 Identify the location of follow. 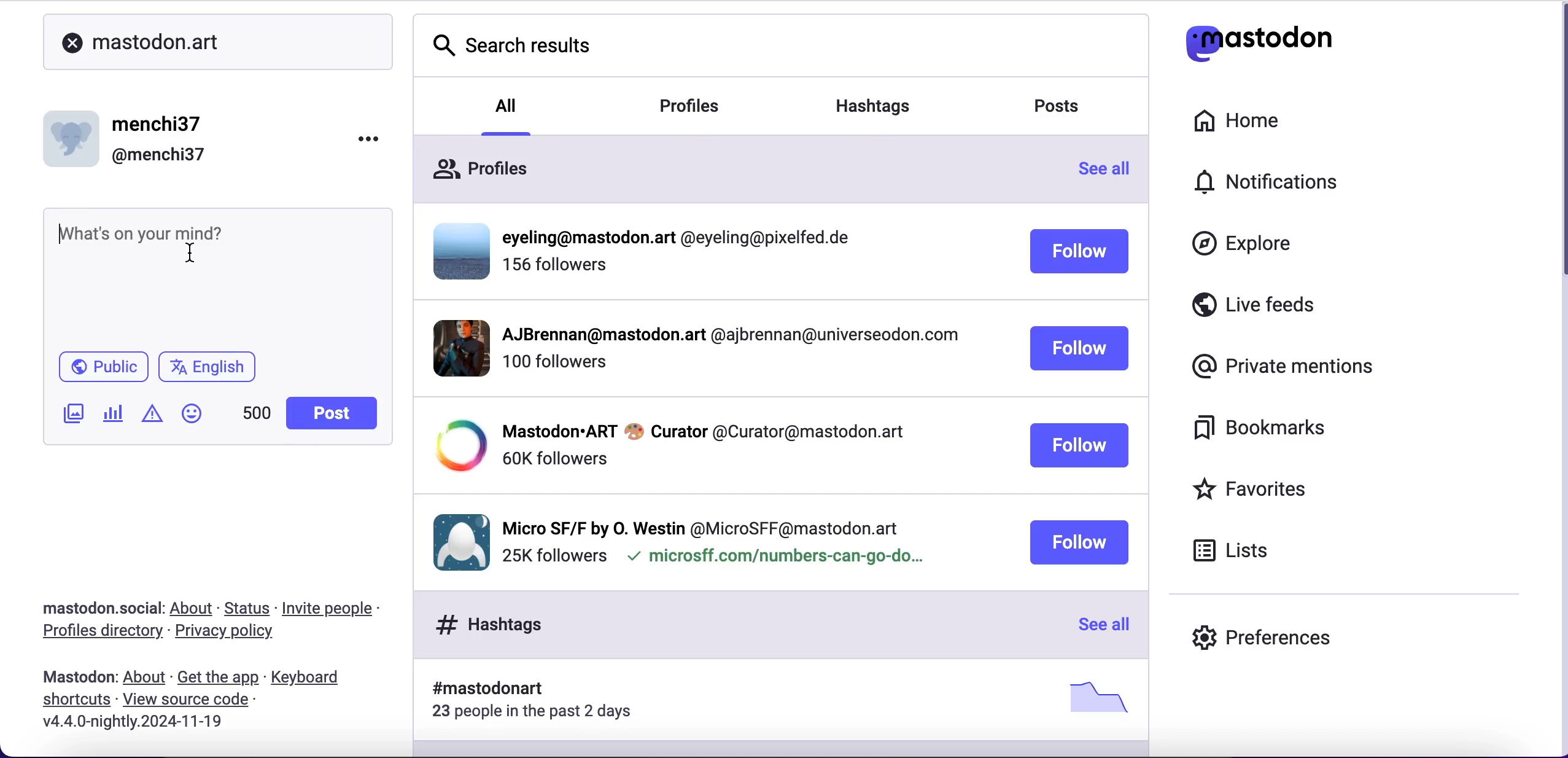
(1078, 542).